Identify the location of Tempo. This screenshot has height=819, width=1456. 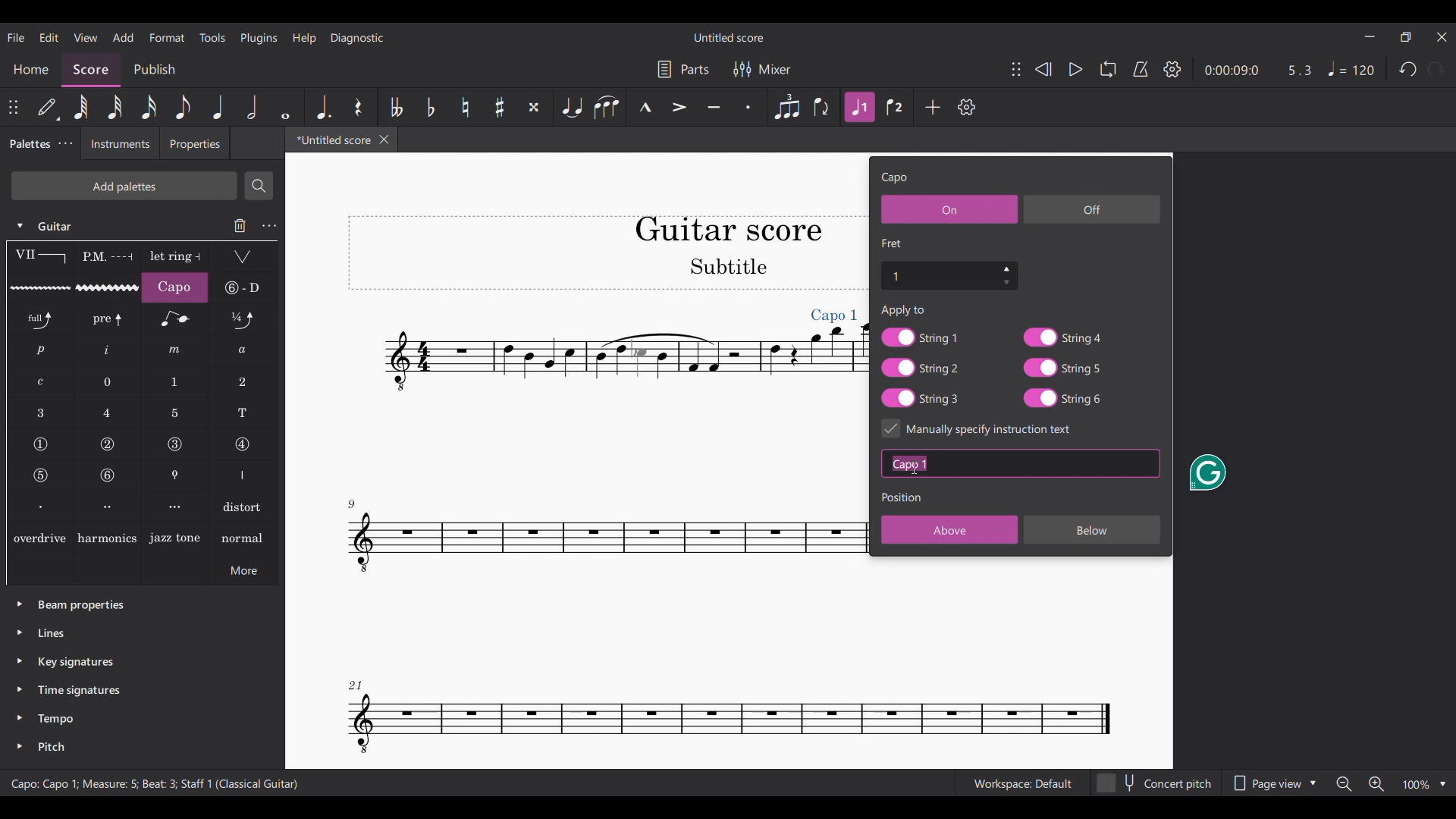
(1350, 68).